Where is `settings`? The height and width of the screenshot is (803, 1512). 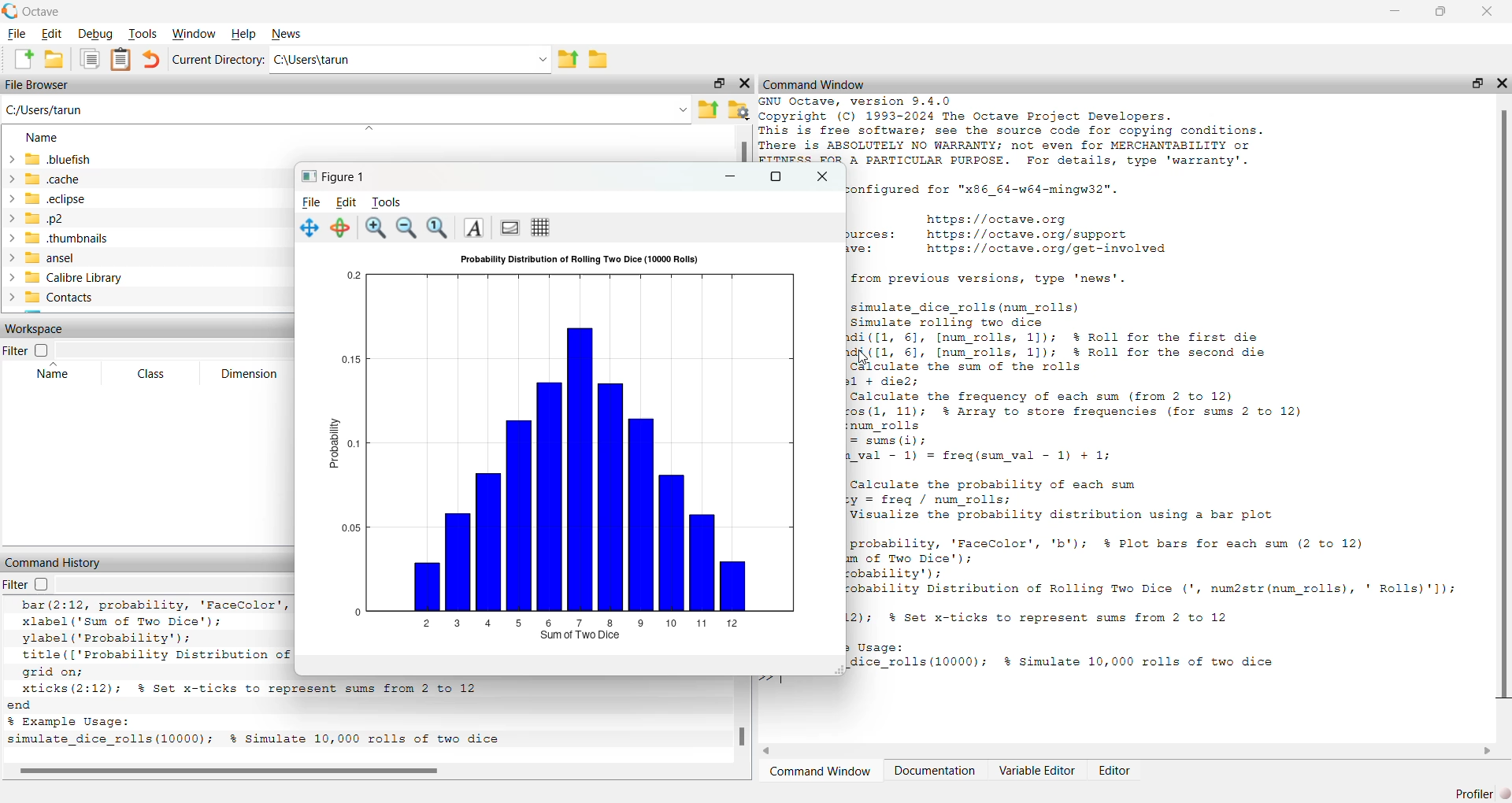
settings is located at coordinates (742, 109).